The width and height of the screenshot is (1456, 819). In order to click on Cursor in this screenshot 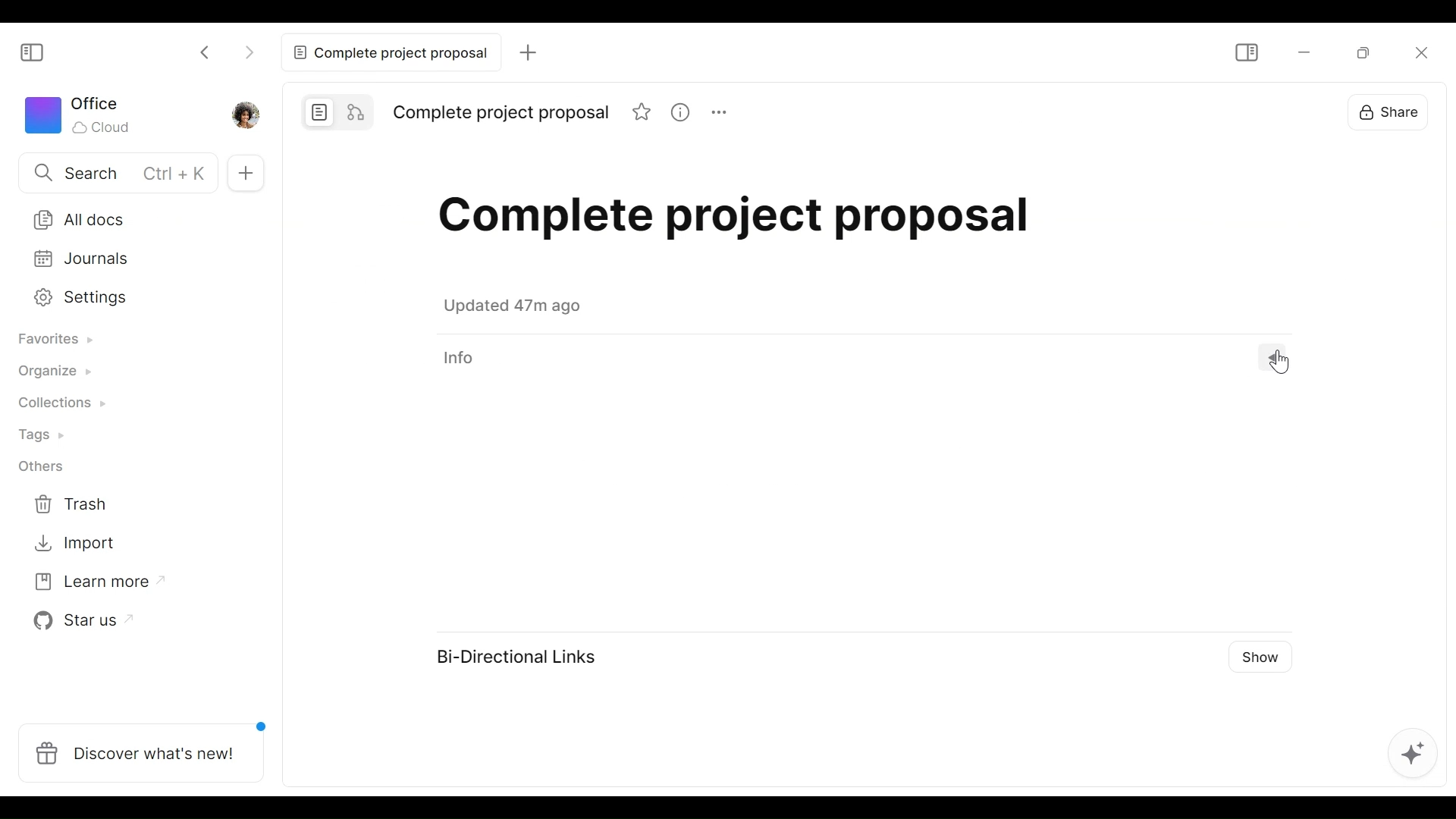, I will do `click(1282, 365)`.